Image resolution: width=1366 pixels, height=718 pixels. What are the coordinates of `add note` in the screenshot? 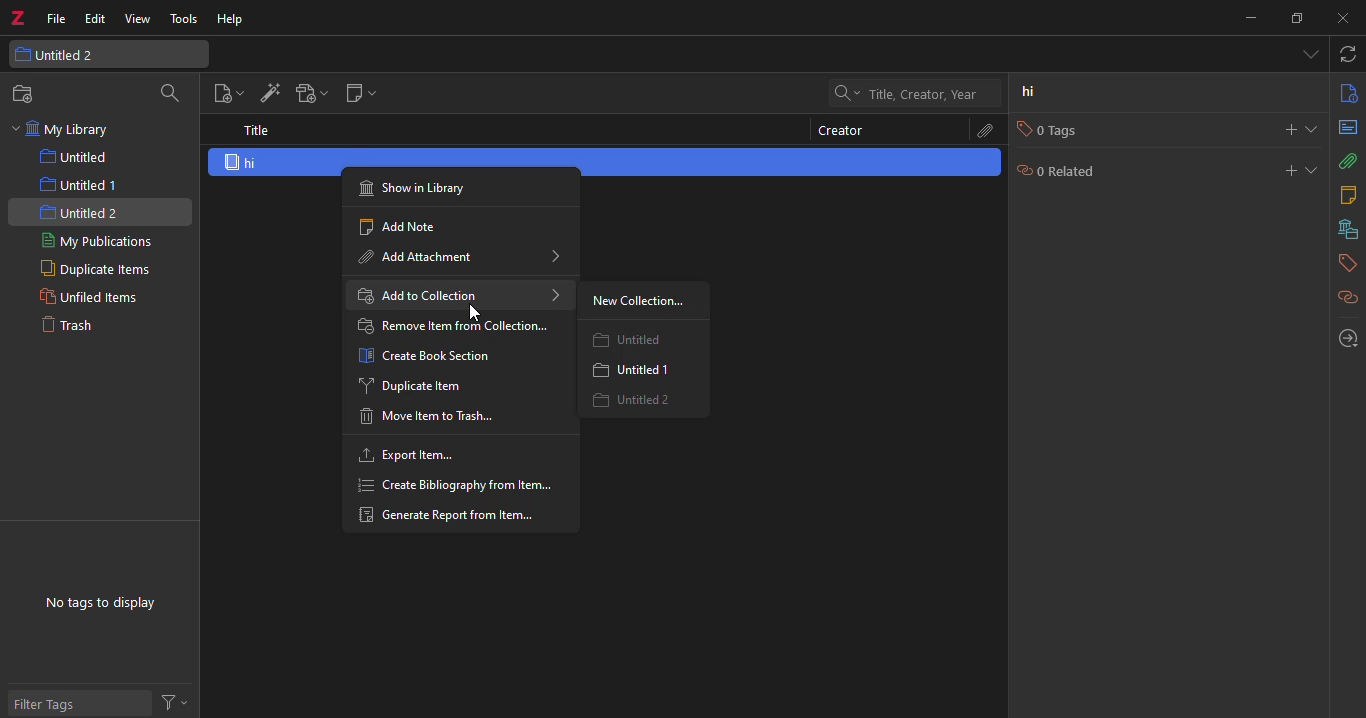 It's located at (394, 227).